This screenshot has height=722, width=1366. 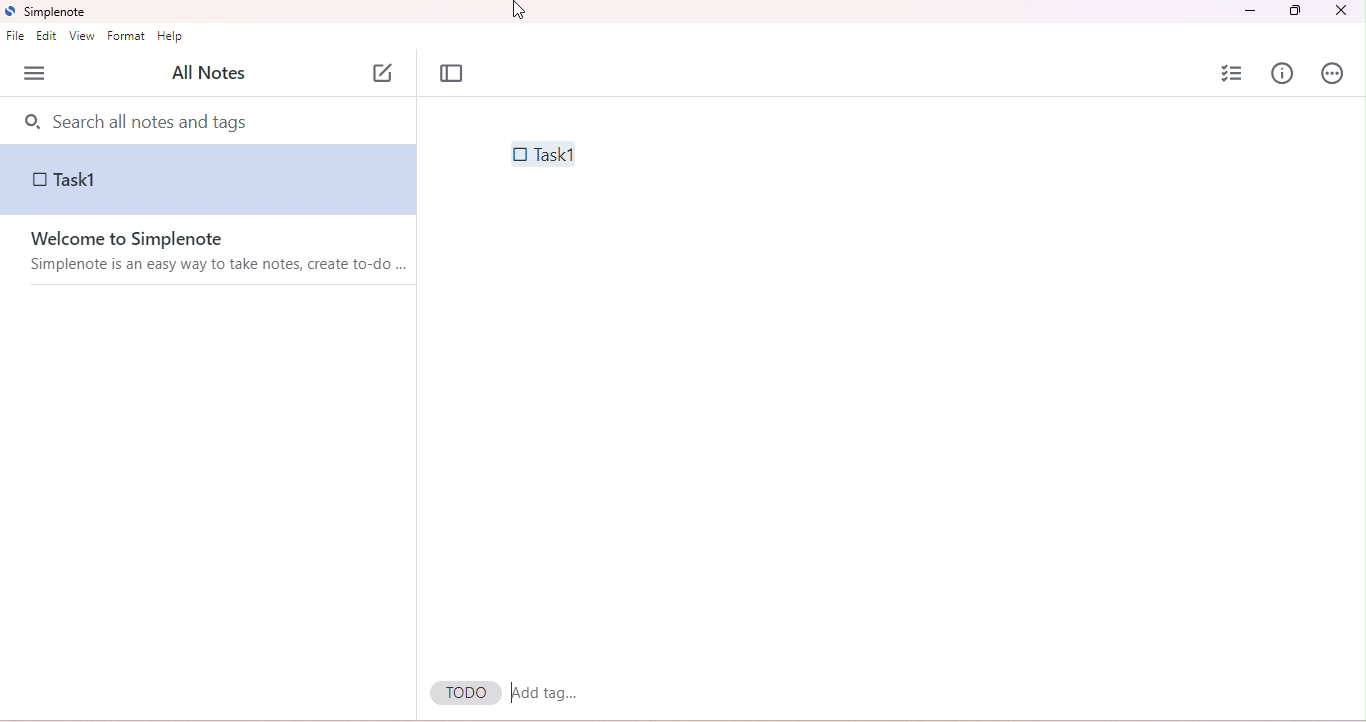 What do you see at coordinates (35, 74) in the screenshot?
I see `menu` at bounding box center [35, 74].